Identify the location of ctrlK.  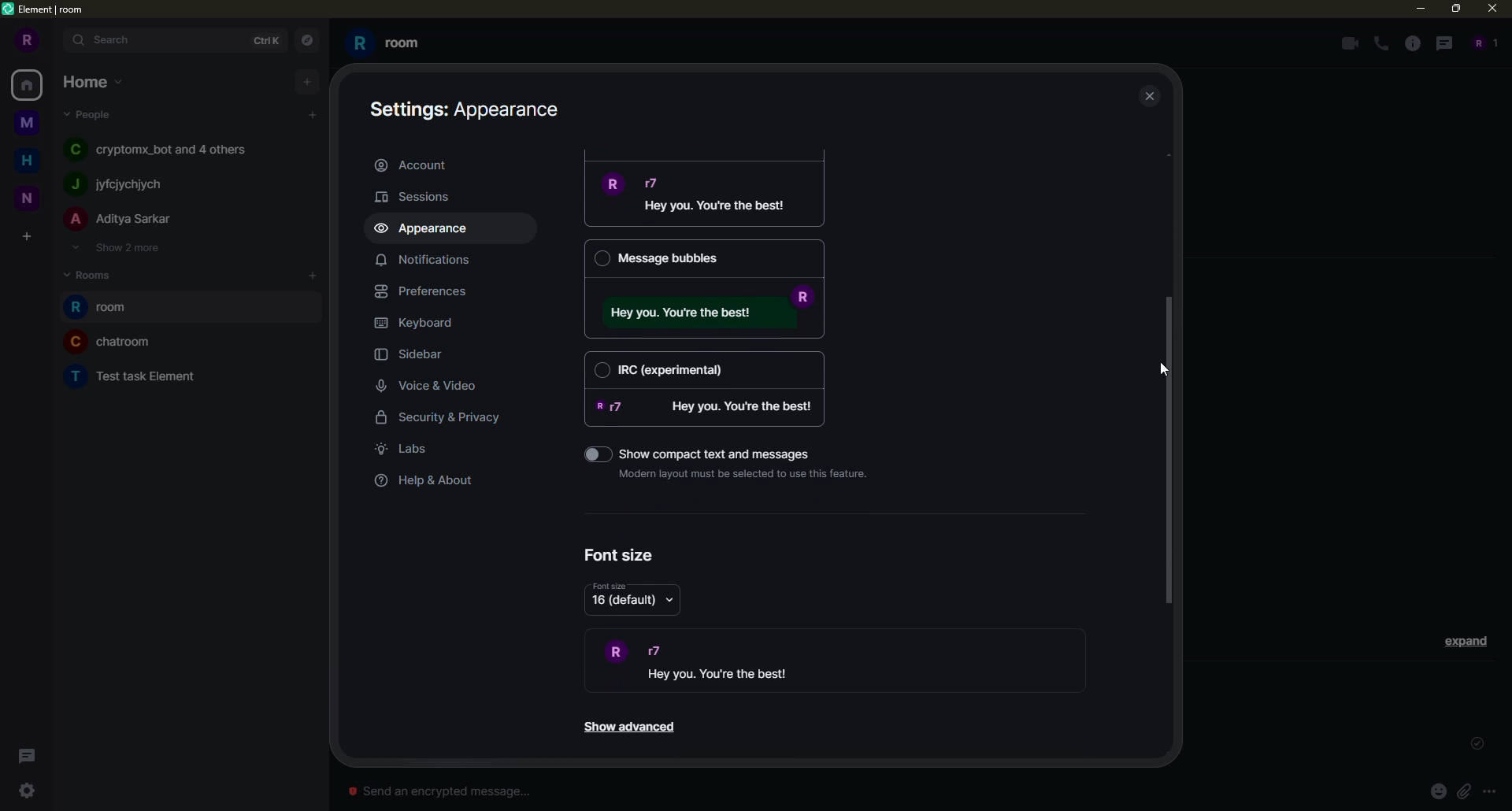
(263, 39).